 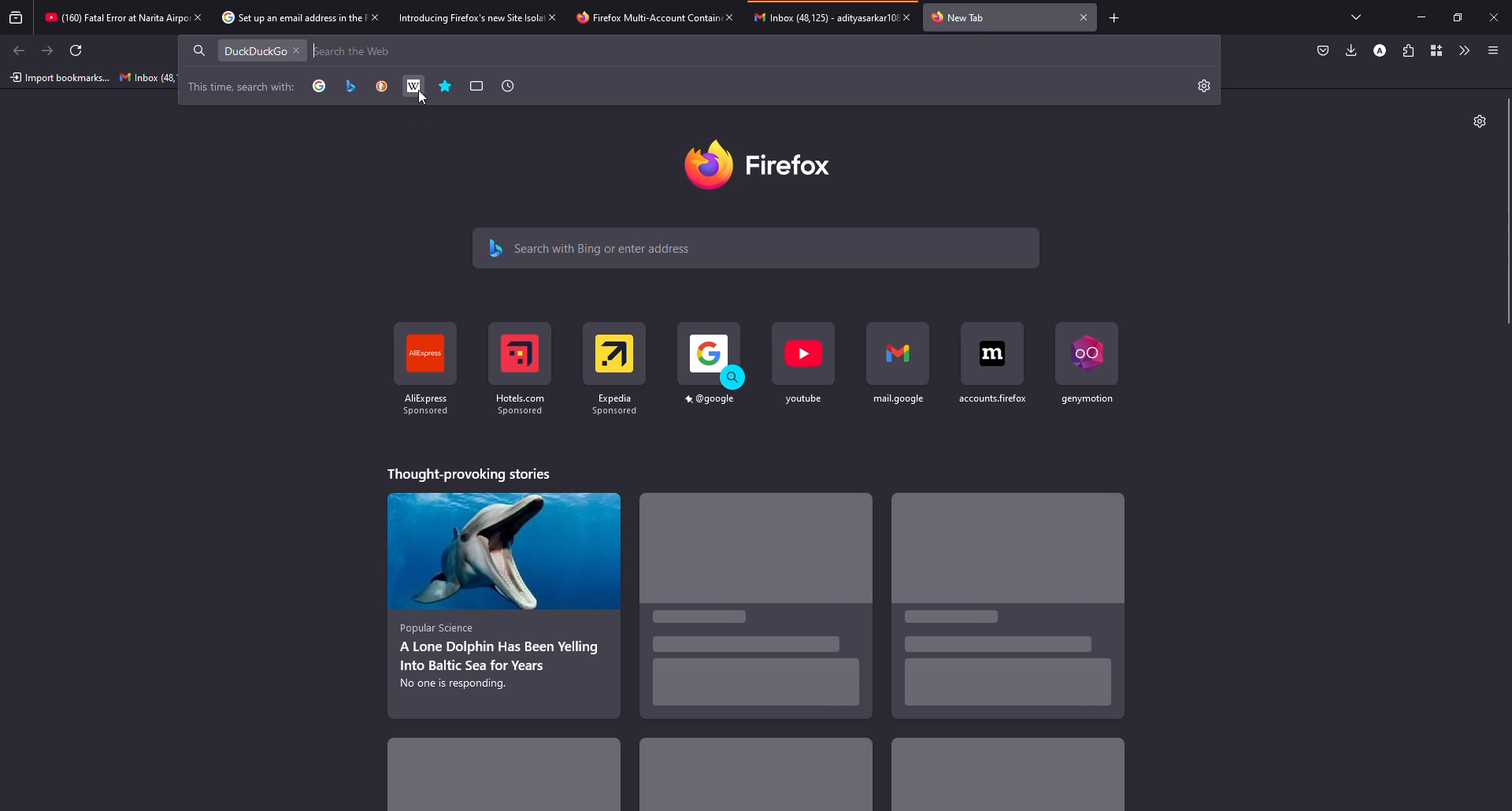 I want to click on stories, so click(x=502, y=604).